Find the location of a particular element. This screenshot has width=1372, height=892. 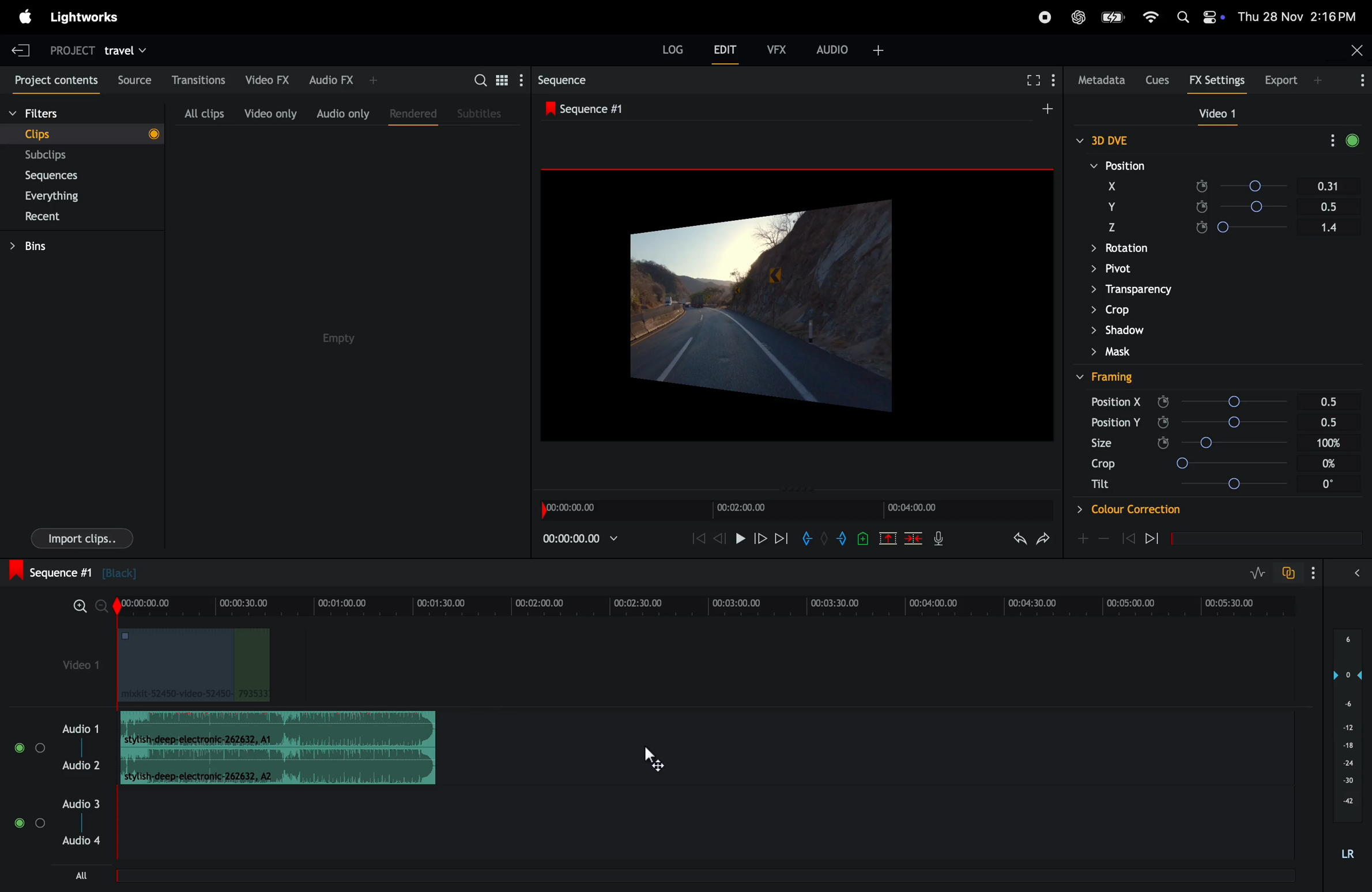

audio is located at coordinates (851, 48).